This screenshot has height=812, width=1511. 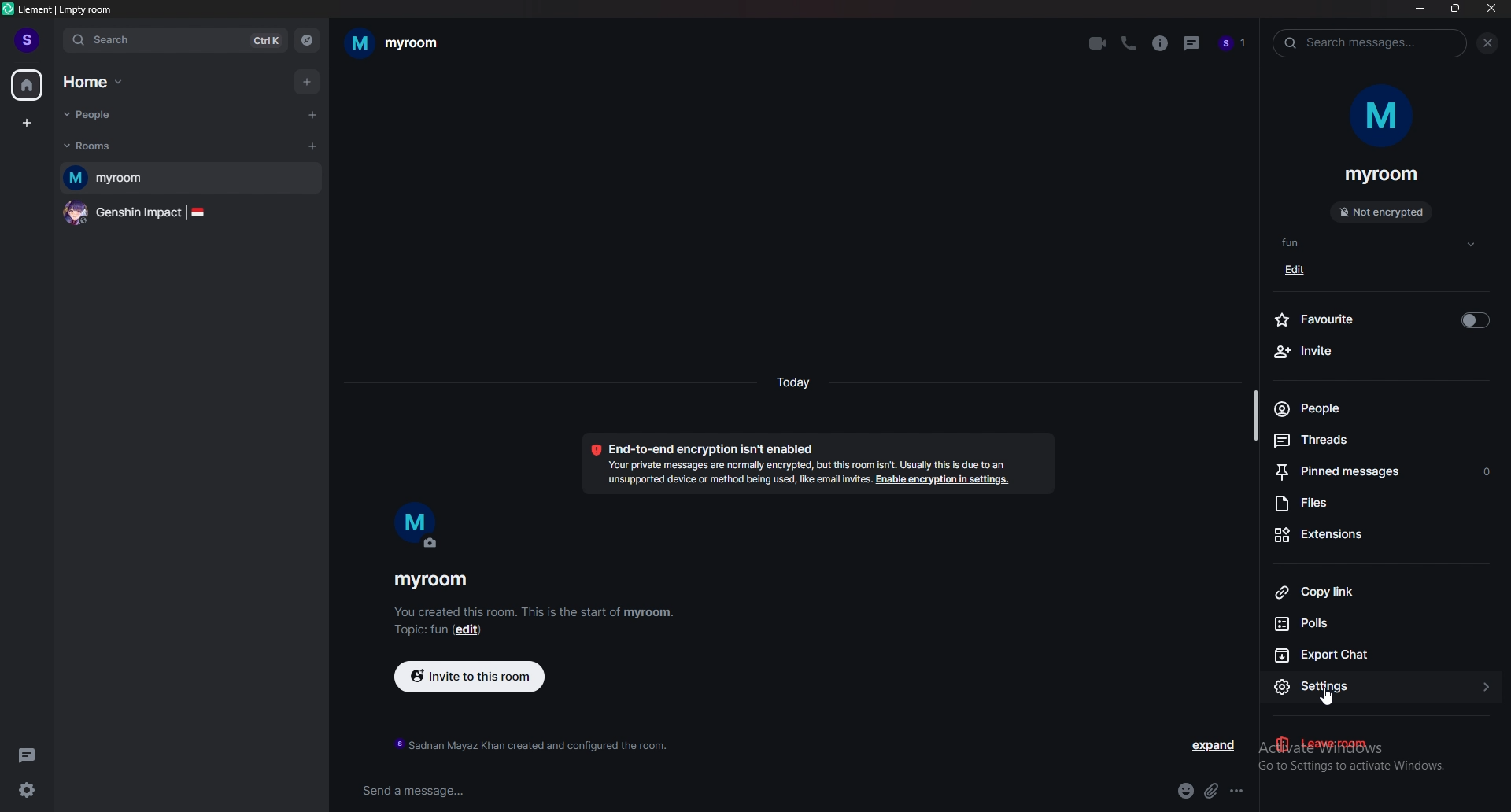 I want to click on video call, so click(x=1097, y=43).